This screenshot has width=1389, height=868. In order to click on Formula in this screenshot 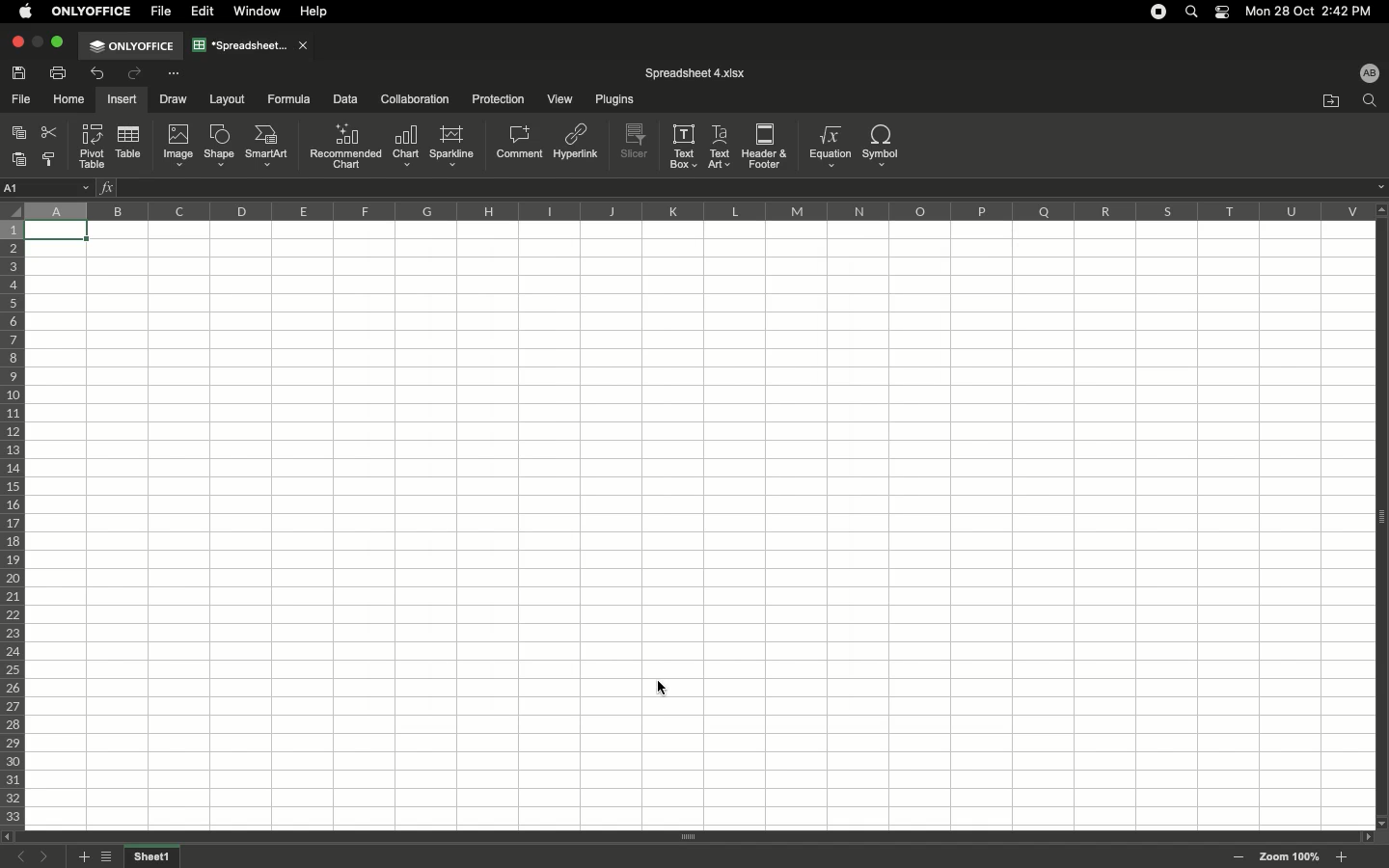, I will do `click(286, 98)`.